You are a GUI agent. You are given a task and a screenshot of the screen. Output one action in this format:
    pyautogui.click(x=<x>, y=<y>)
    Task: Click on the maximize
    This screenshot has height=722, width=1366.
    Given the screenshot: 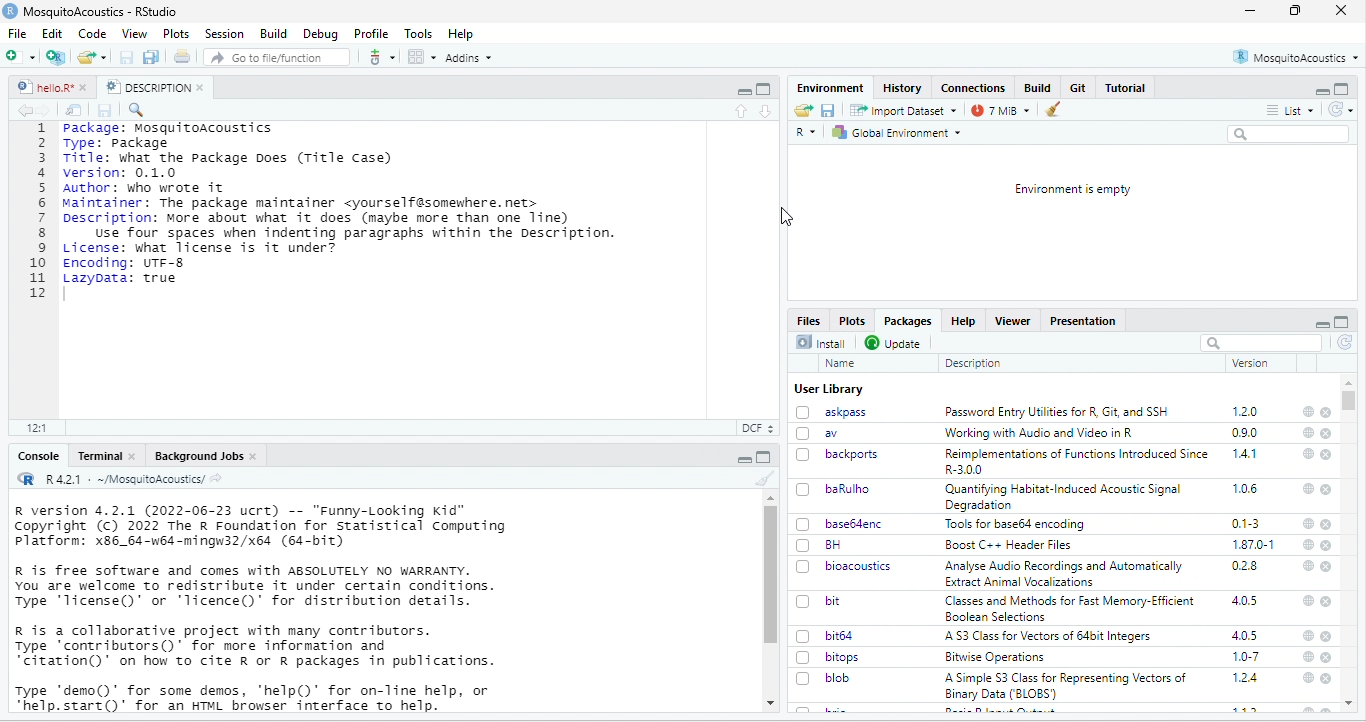 What is the action you would take?
    pyautogui.click(x=1342, y=89)
    